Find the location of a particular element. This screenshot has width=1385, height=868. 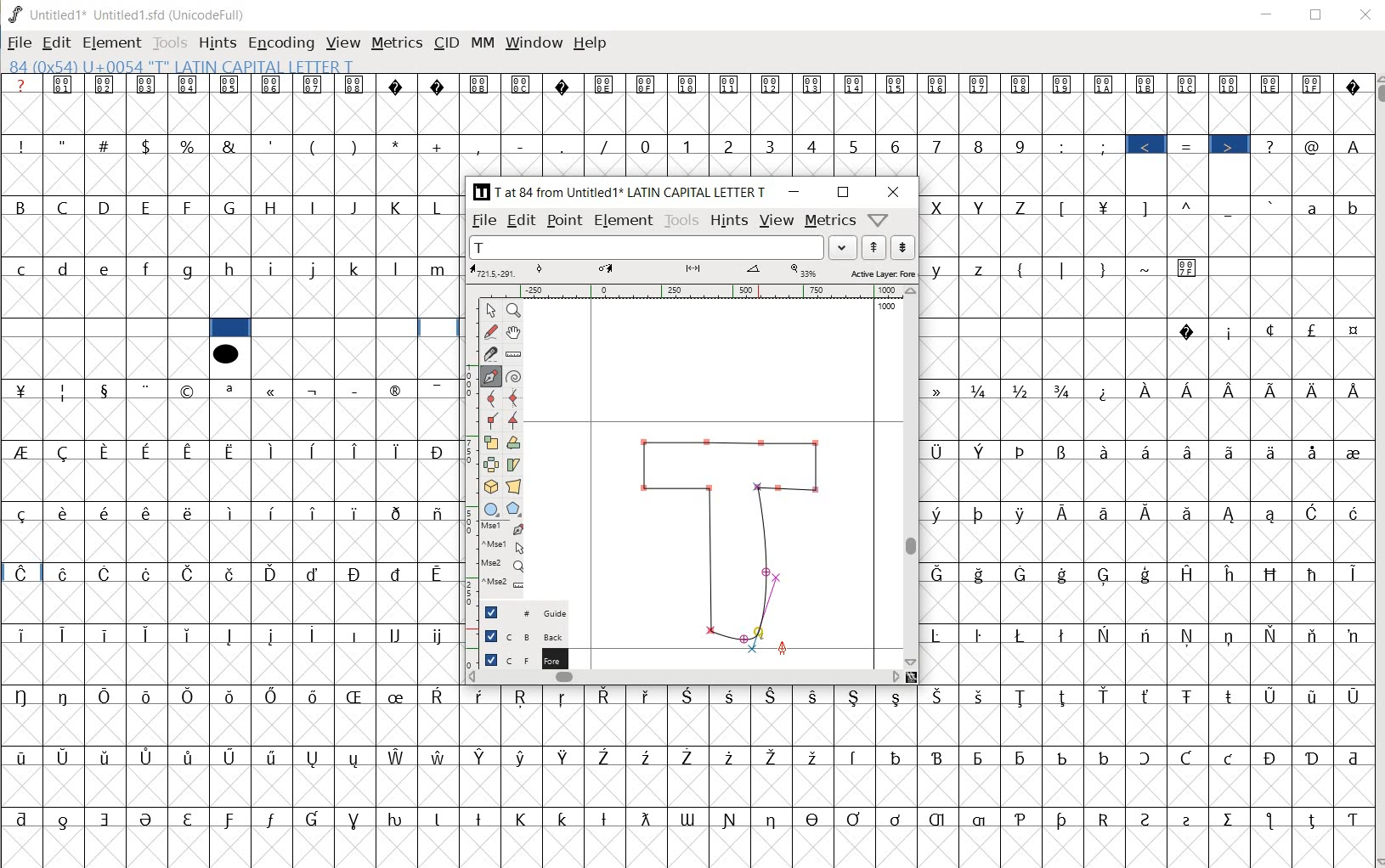

Symbol is located at coordinates (233, 637).